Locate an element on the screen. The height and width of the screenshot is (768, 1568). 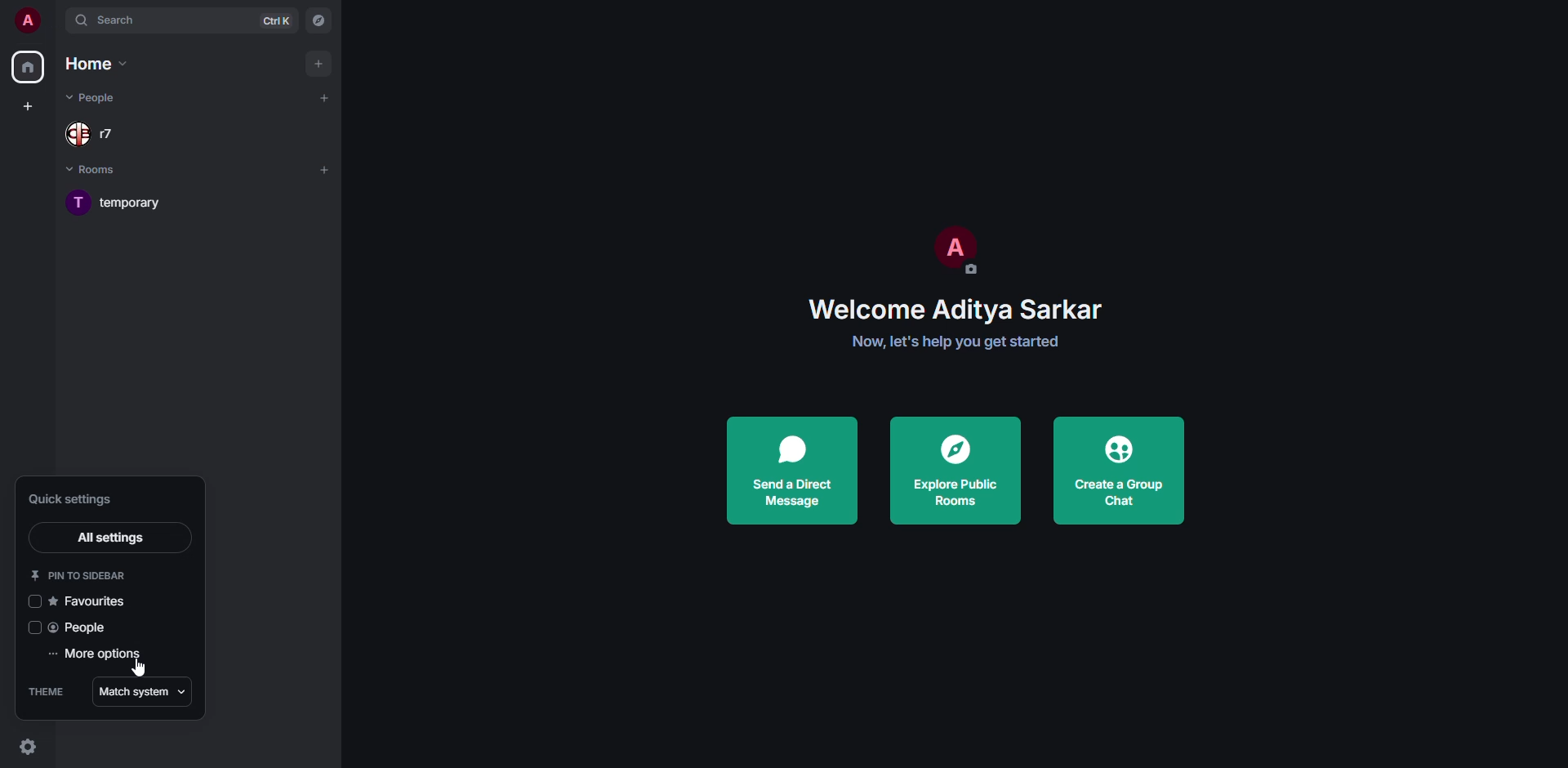
people is located at coordinates (98, 134).